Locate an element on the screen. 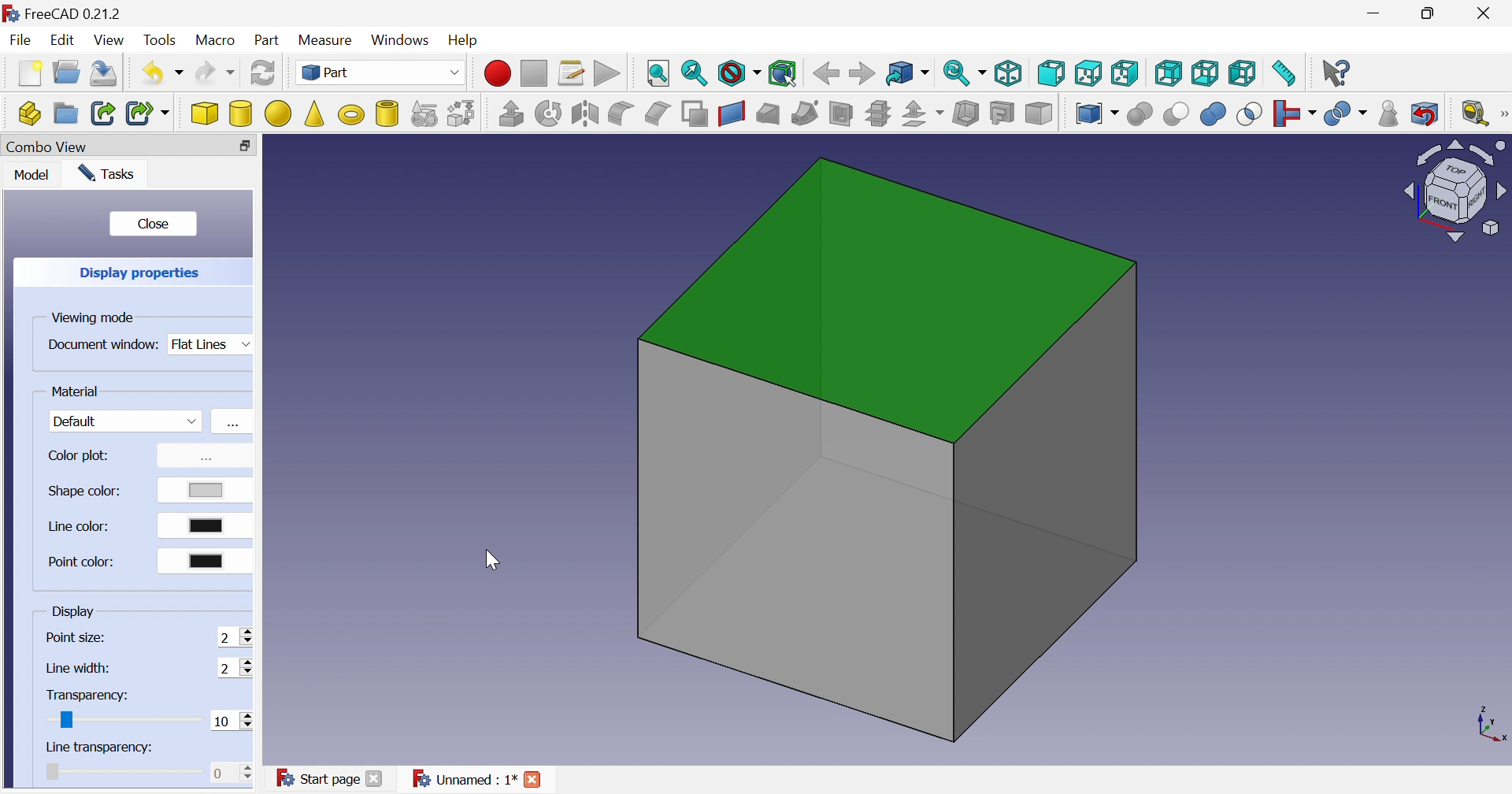  Create projection on surface is located at coordinates (1002, 113).